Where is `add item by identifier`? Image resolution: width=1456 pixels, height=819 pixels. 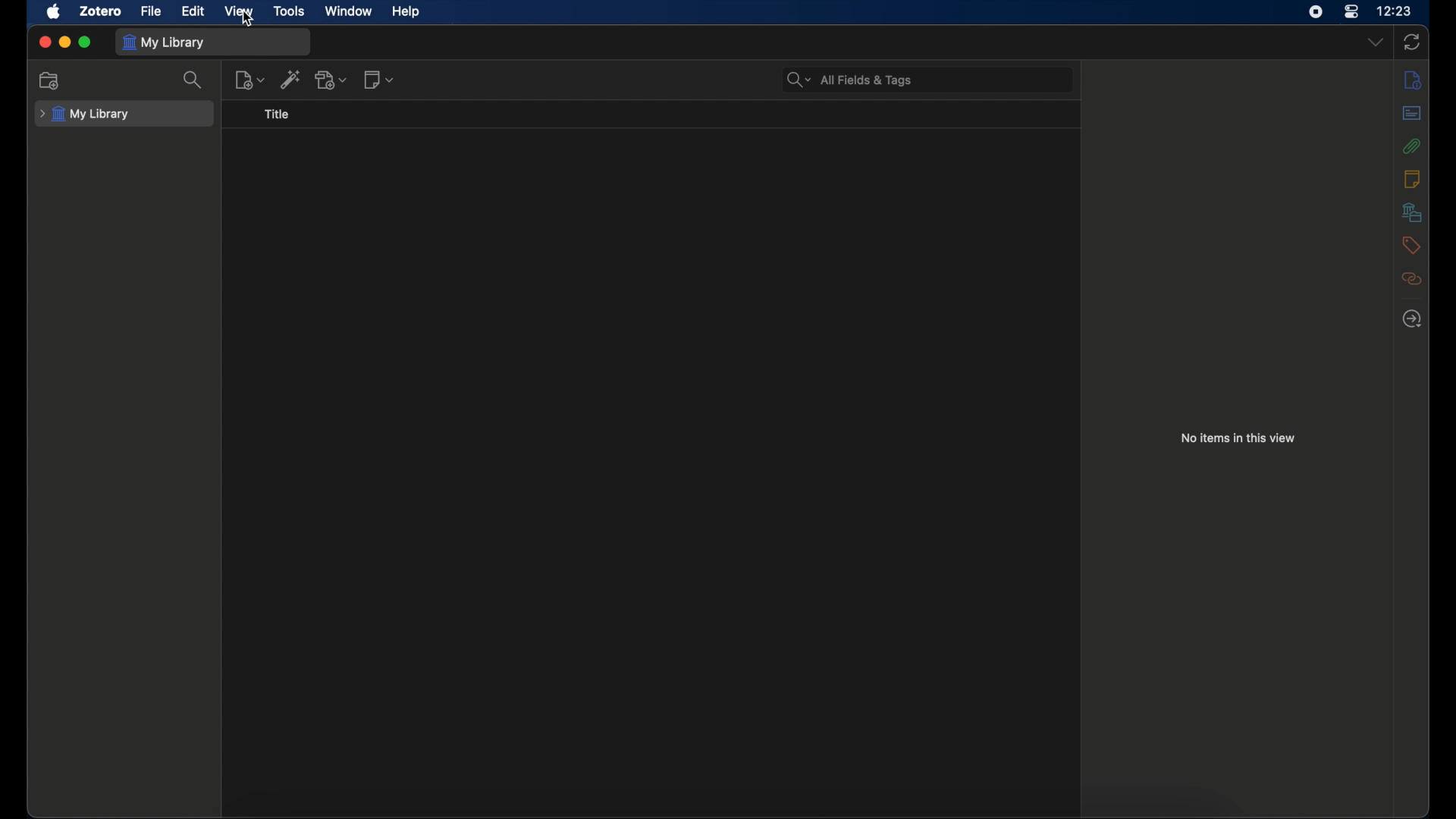 add item by identifier is located at coordinates (291, 79).